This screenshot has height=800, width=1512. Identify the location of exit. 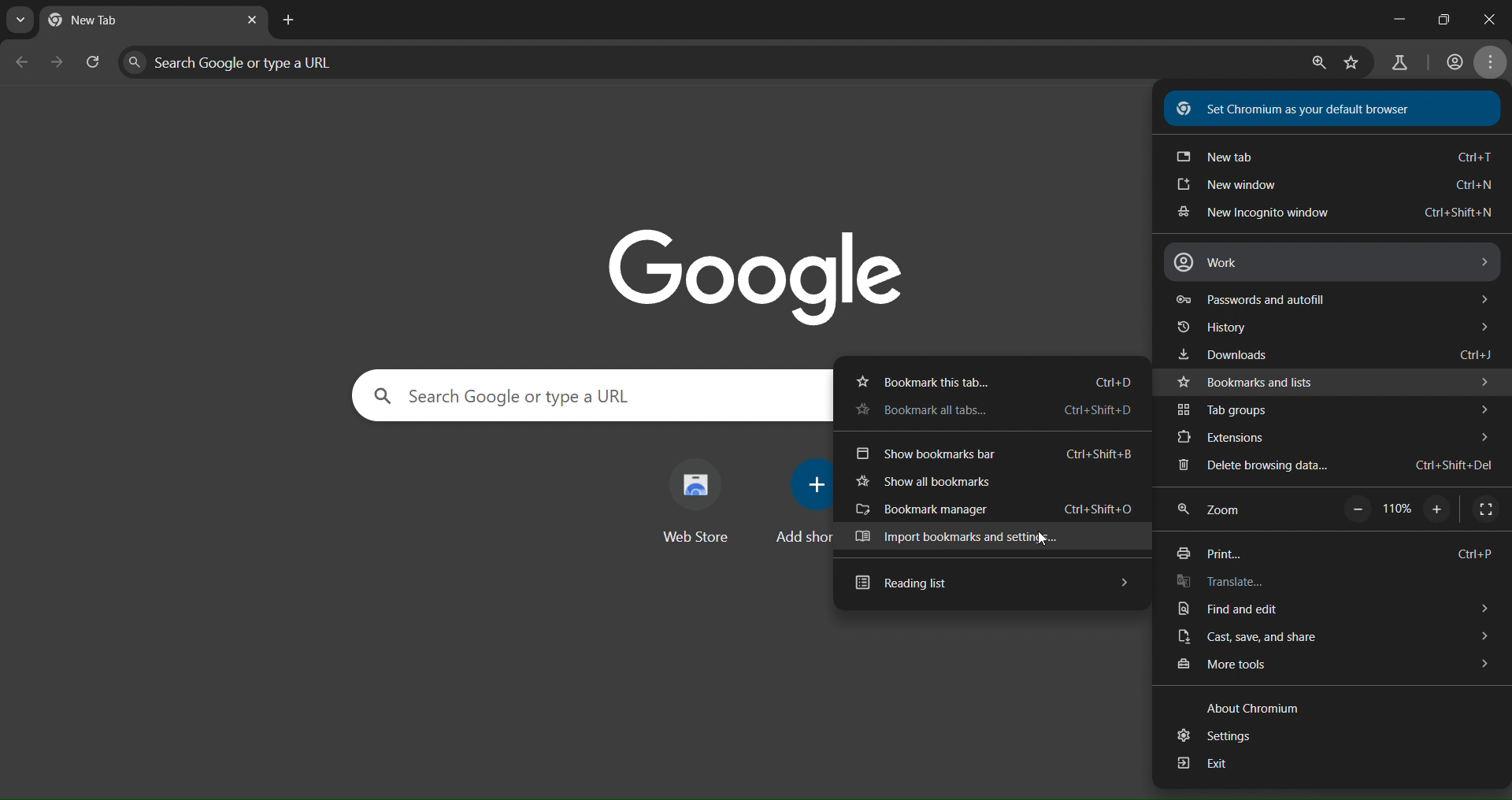
(1205, 766).